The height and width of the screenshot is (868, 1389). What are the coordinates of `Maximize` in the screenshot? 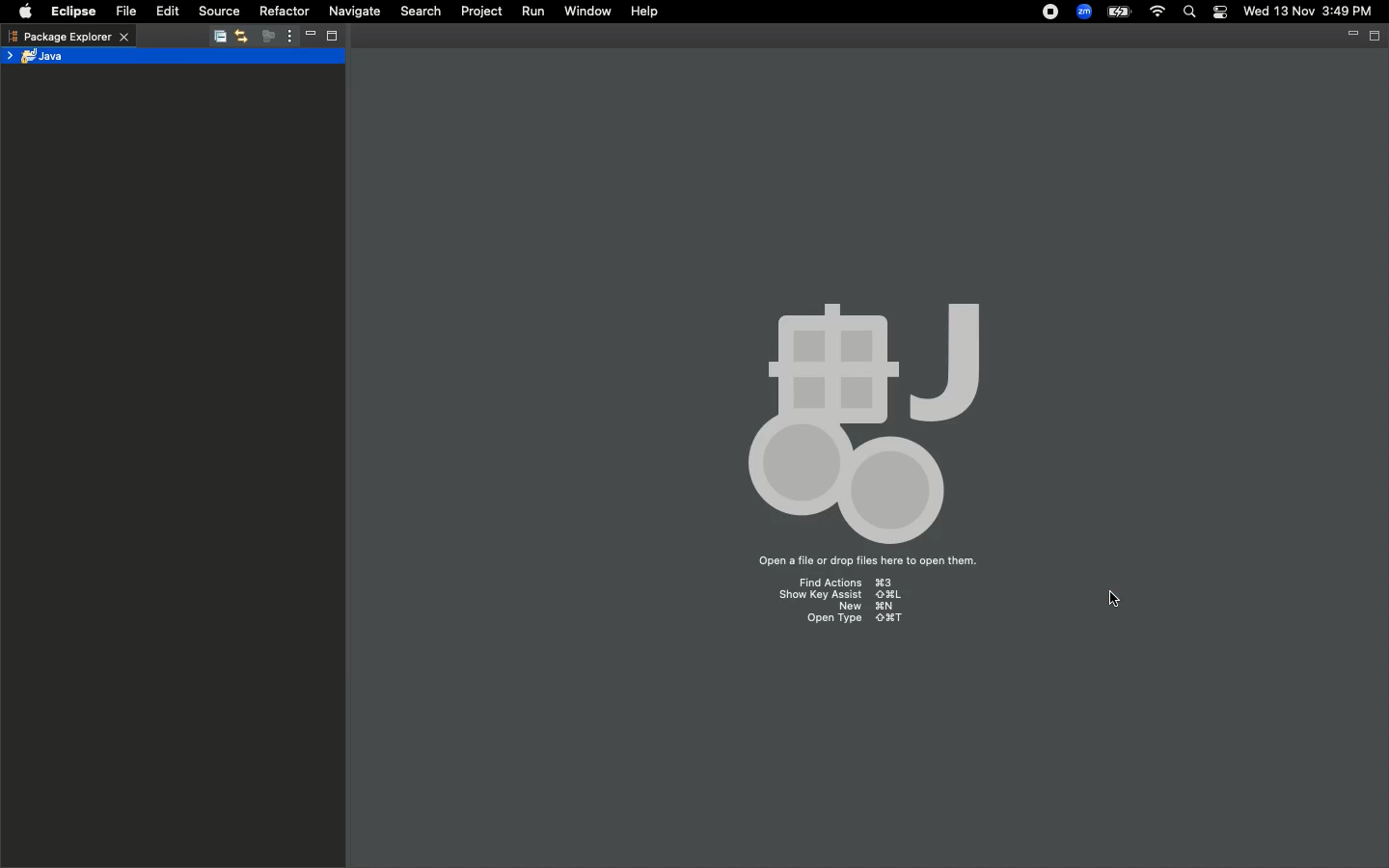 It's located at (1376, 37).